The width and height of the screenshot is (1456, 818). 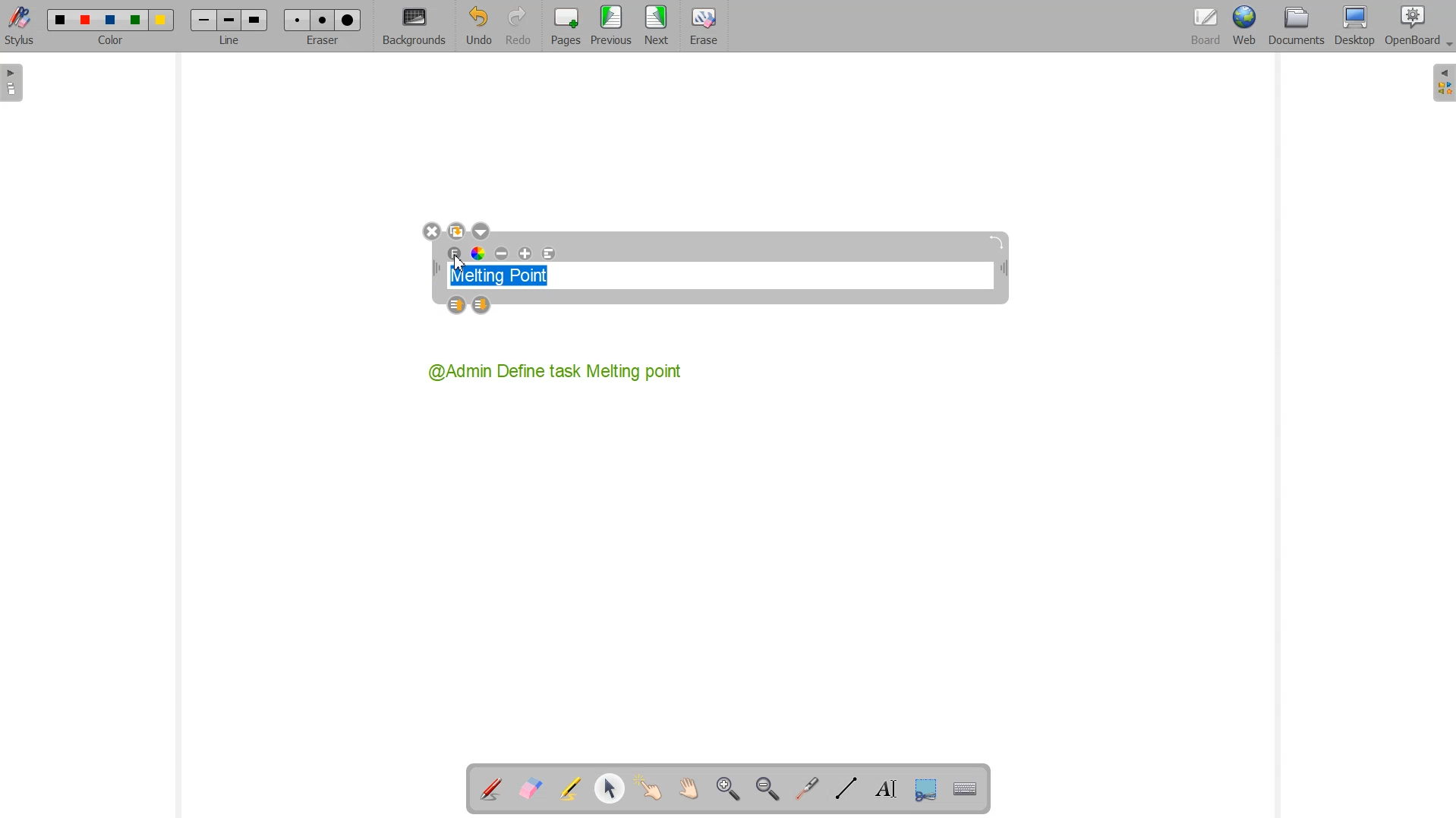 What do you see at coordinates (963, 787) in the screenshot?
I see `Display virtual Keyboard` at bounding box center [963, 787].